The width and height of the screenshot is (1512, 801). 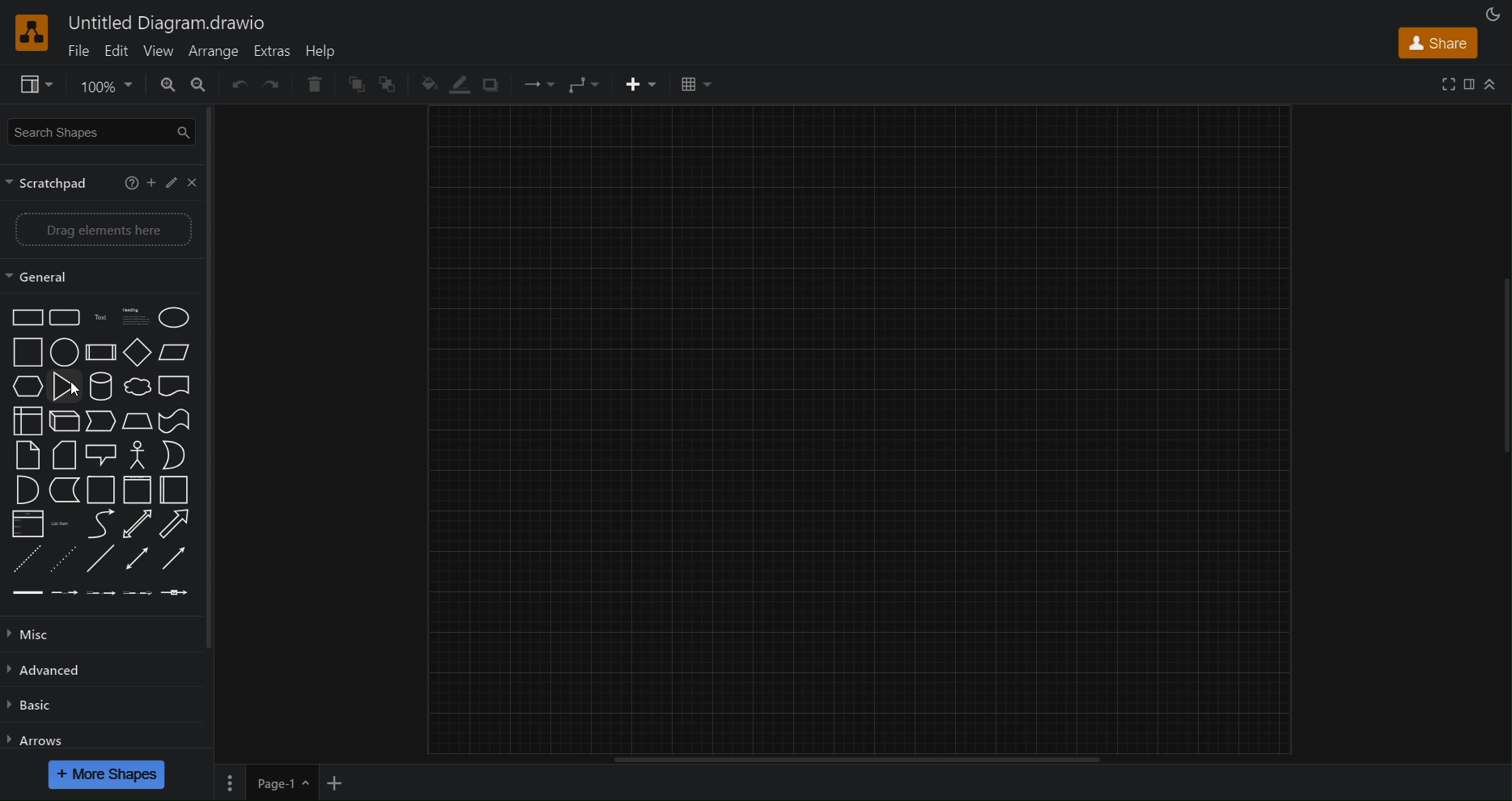 What do you see at coordinates (355, 85) in the screenshot?
I see `Send to Front` at bounding box center [355, 85].